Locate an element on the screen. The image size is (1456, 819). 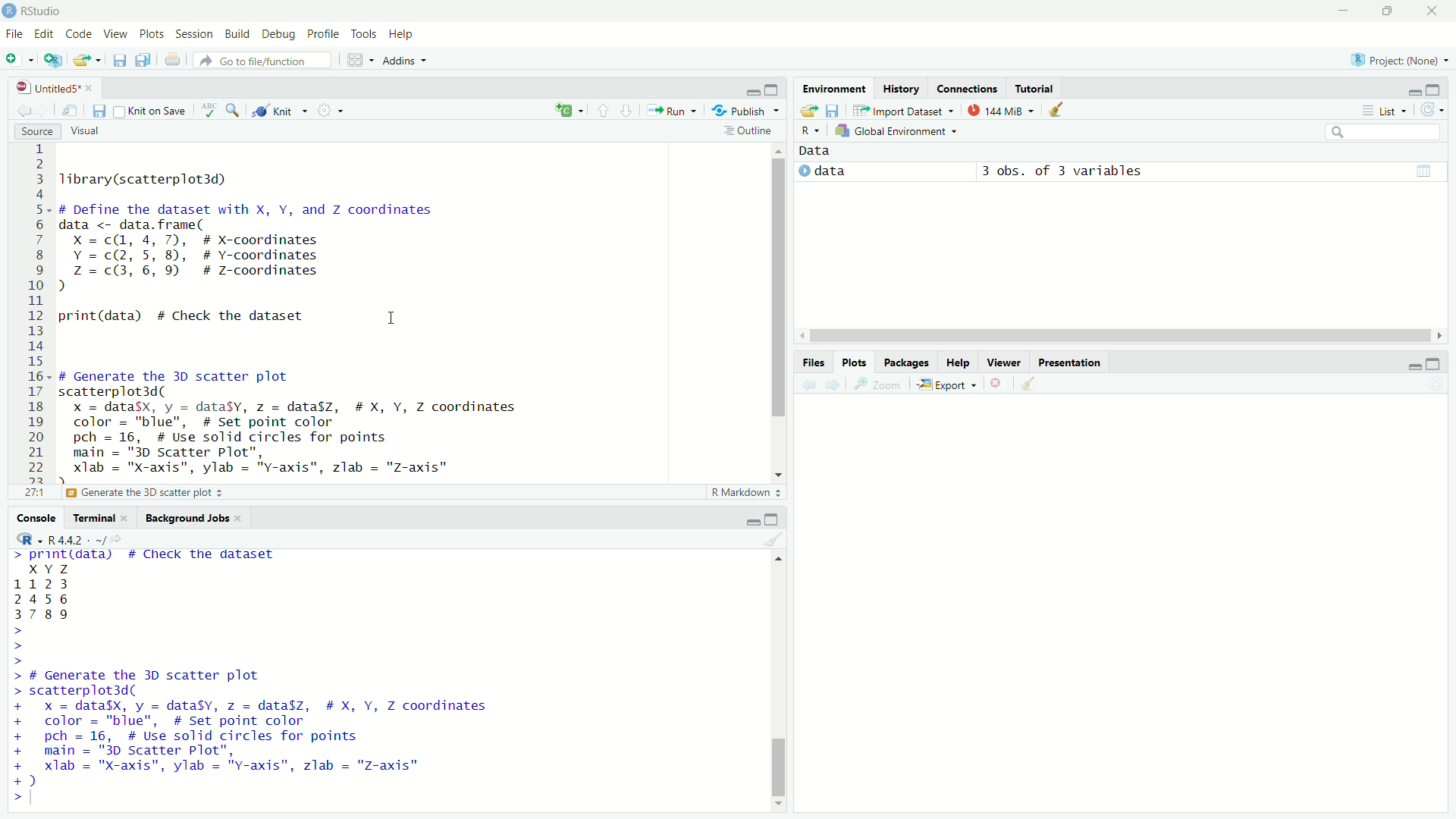
Plots is located at coordinates (152, 34).